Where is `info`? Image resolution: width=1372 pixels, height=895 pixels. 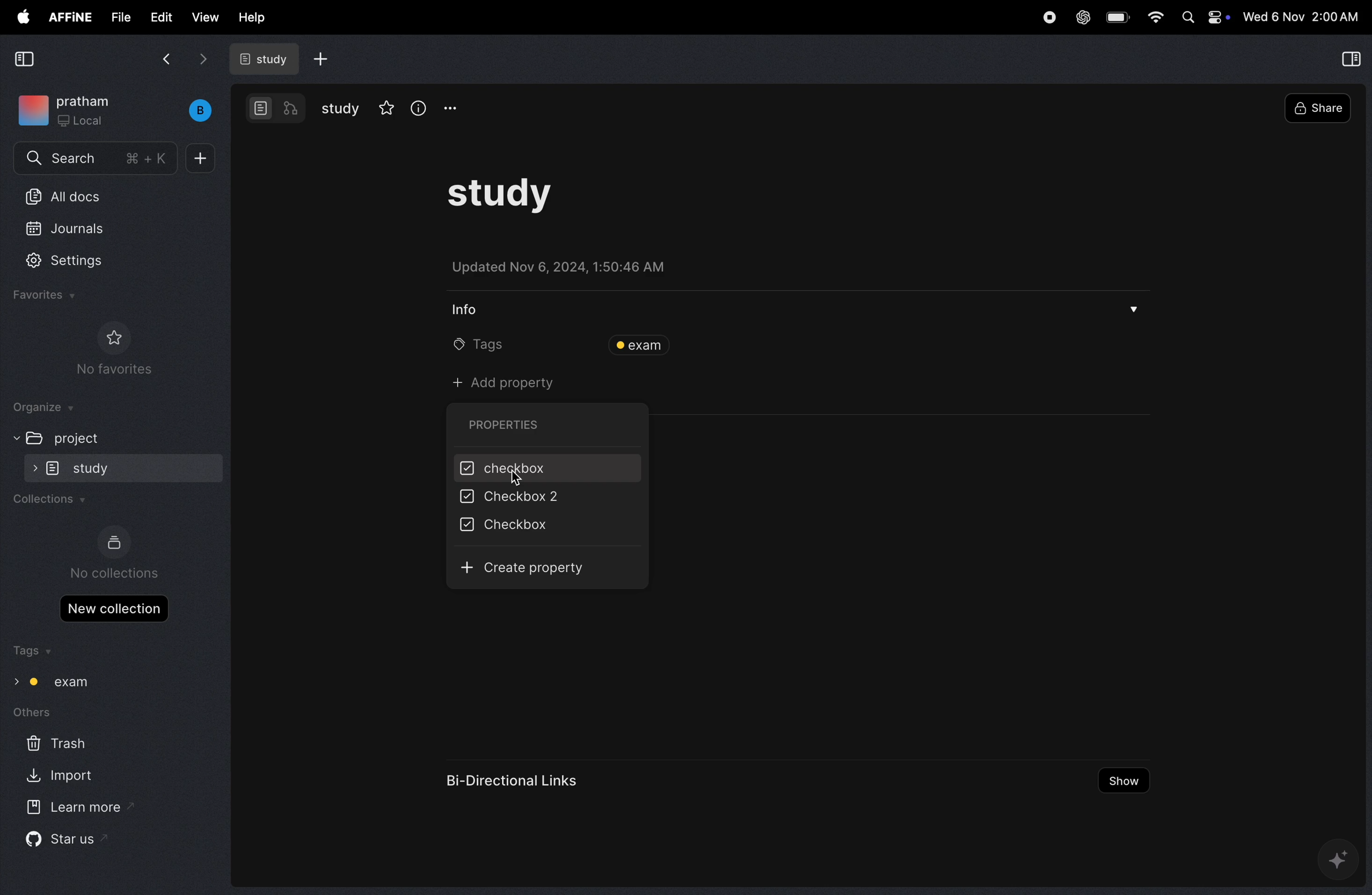
info is located at coordinates (481, 310).